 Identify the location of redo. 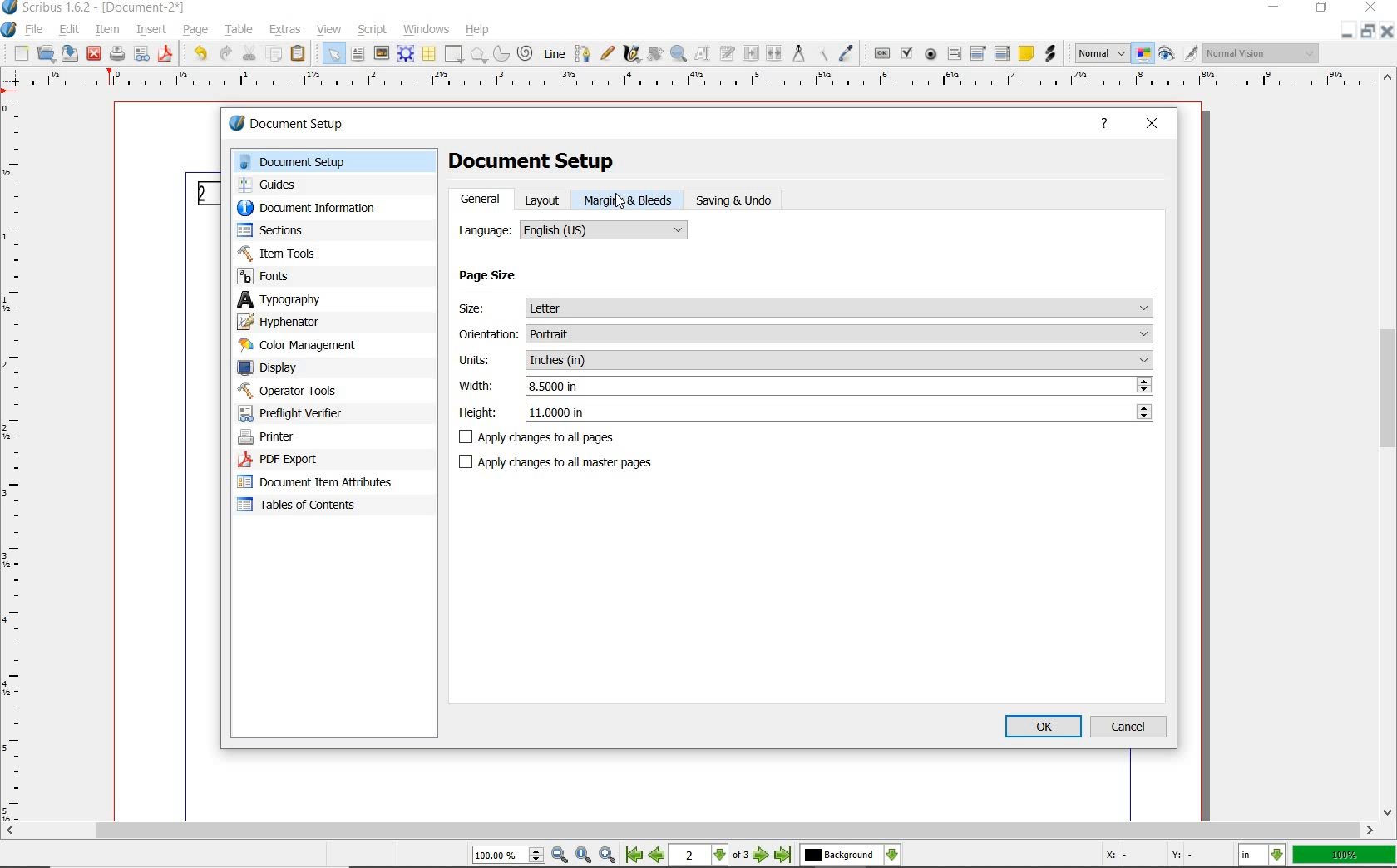
(224, 53).